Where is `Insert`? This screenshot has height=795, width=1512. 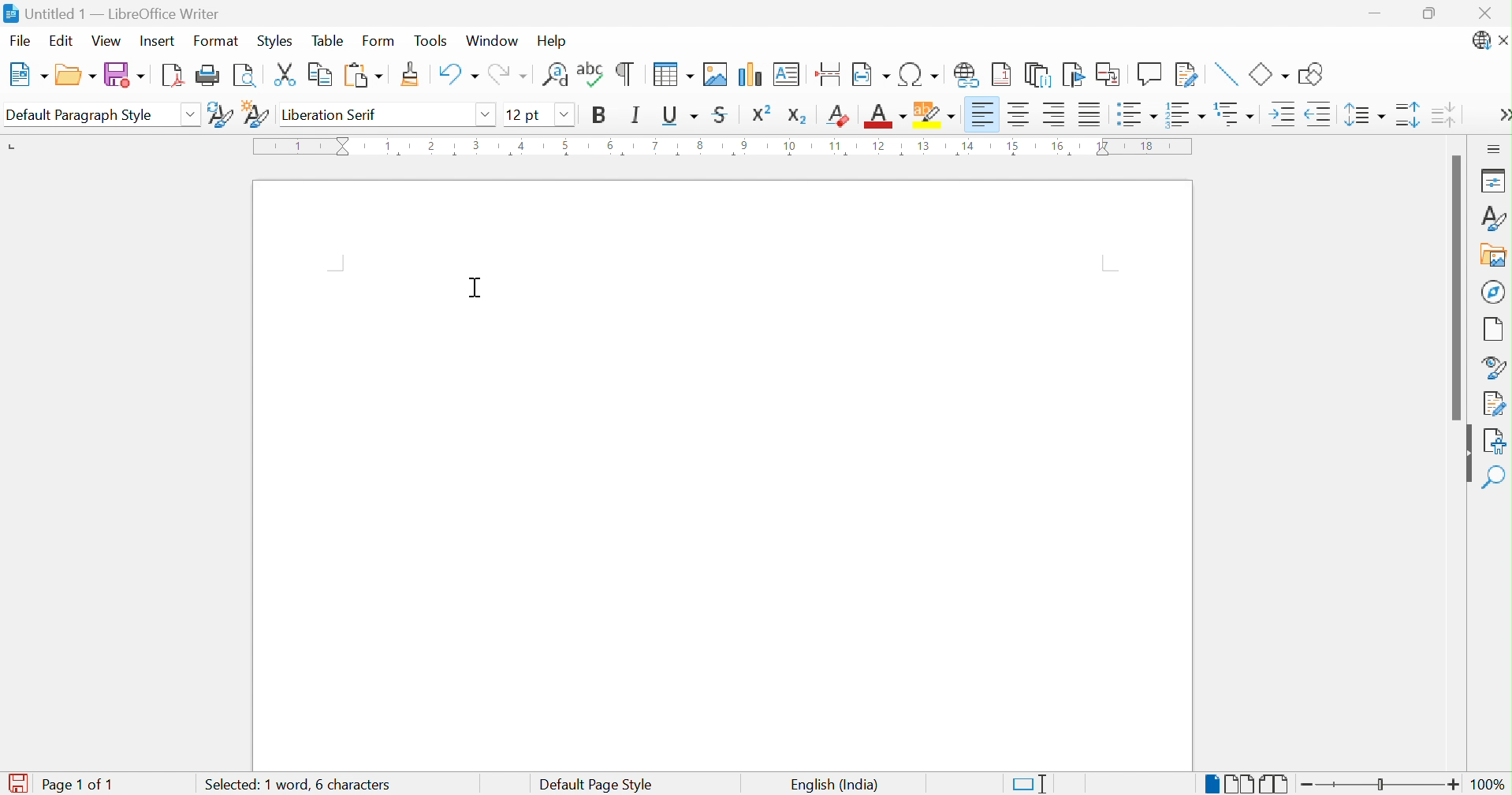 Insert is located at coordinates (160, 43).